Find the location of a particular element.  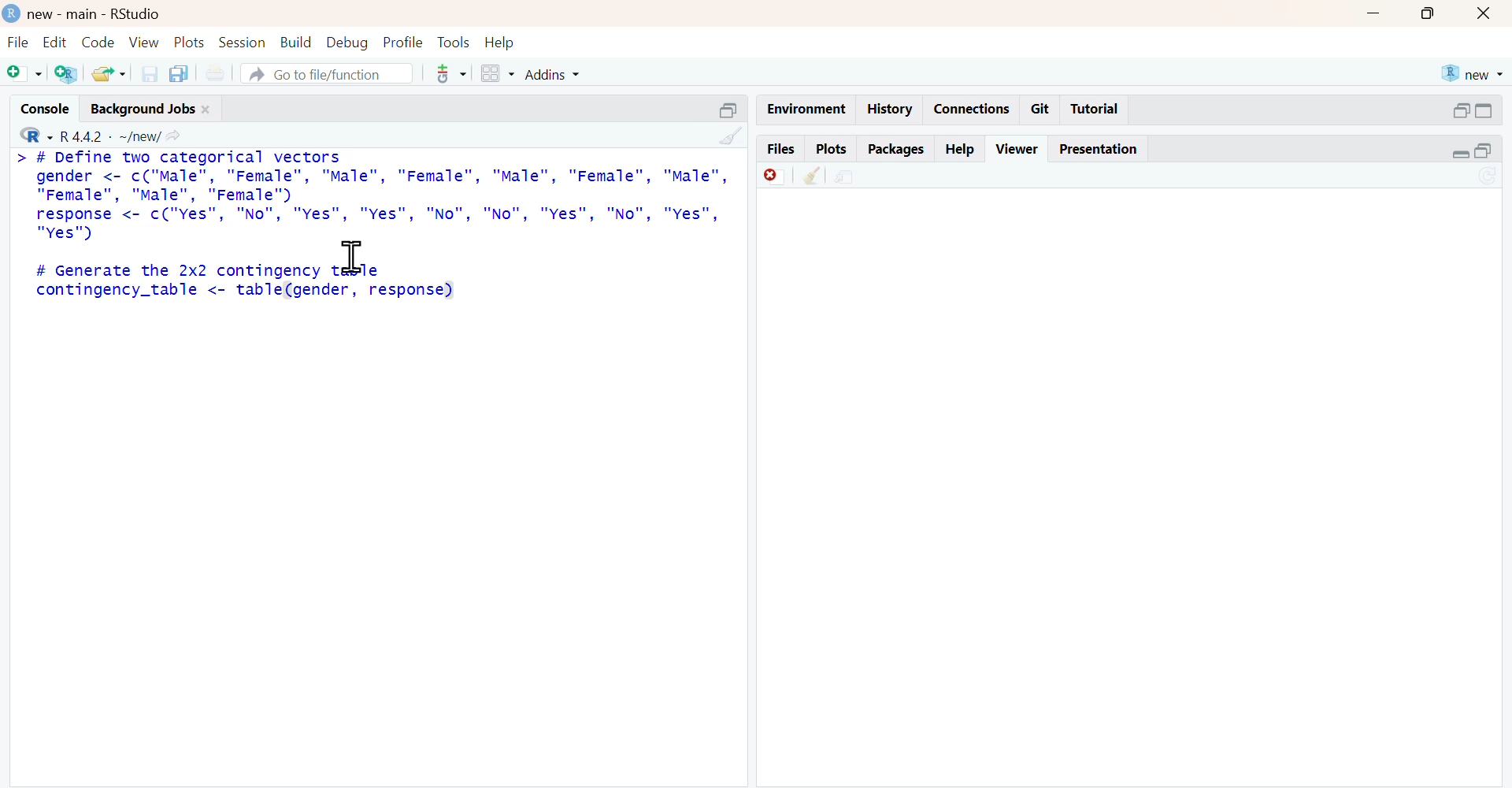

share icon is located at coordinates (175, 137).